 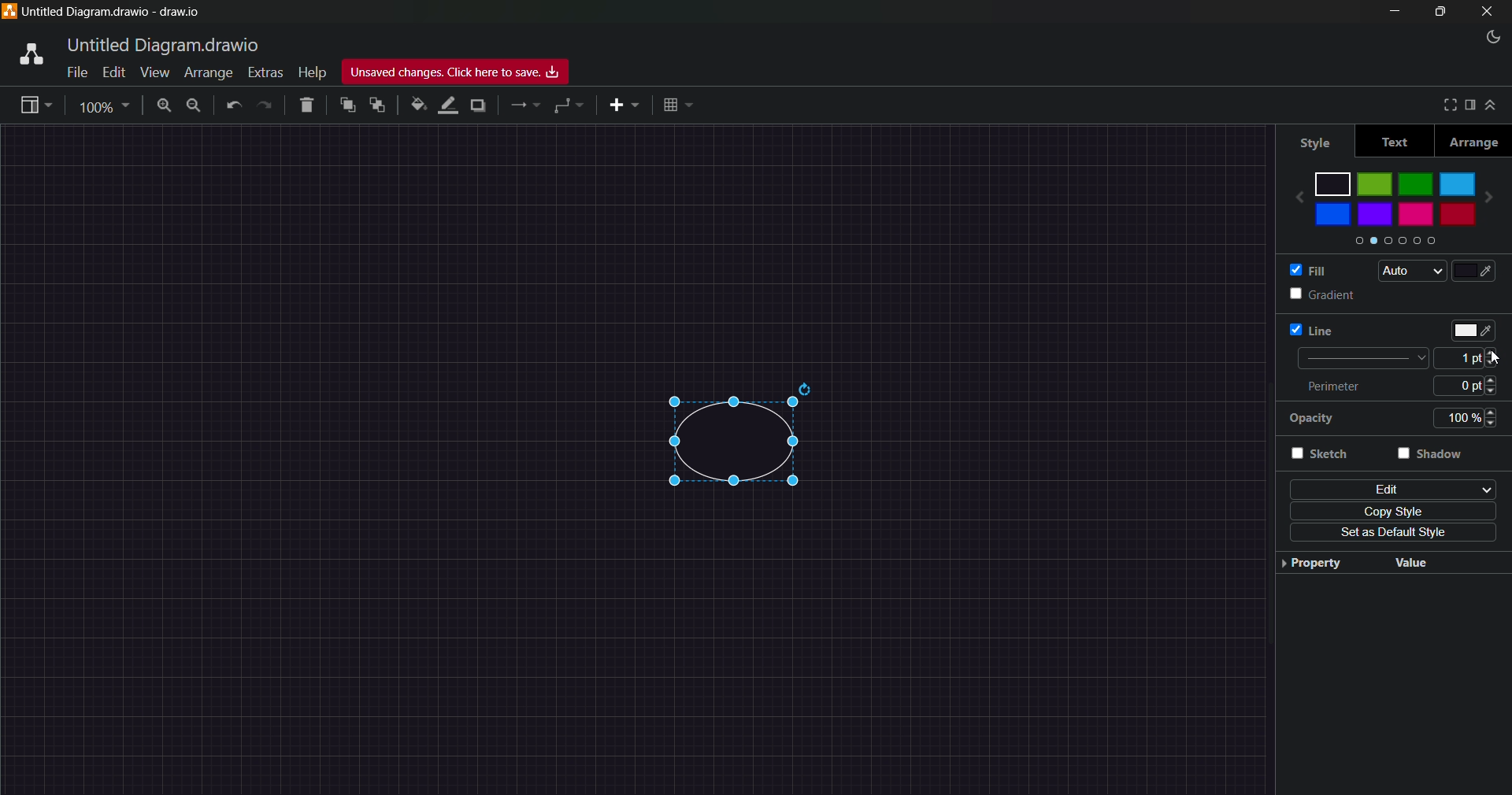 I want to click on expand/collapse, so click(x=1494, y=105).